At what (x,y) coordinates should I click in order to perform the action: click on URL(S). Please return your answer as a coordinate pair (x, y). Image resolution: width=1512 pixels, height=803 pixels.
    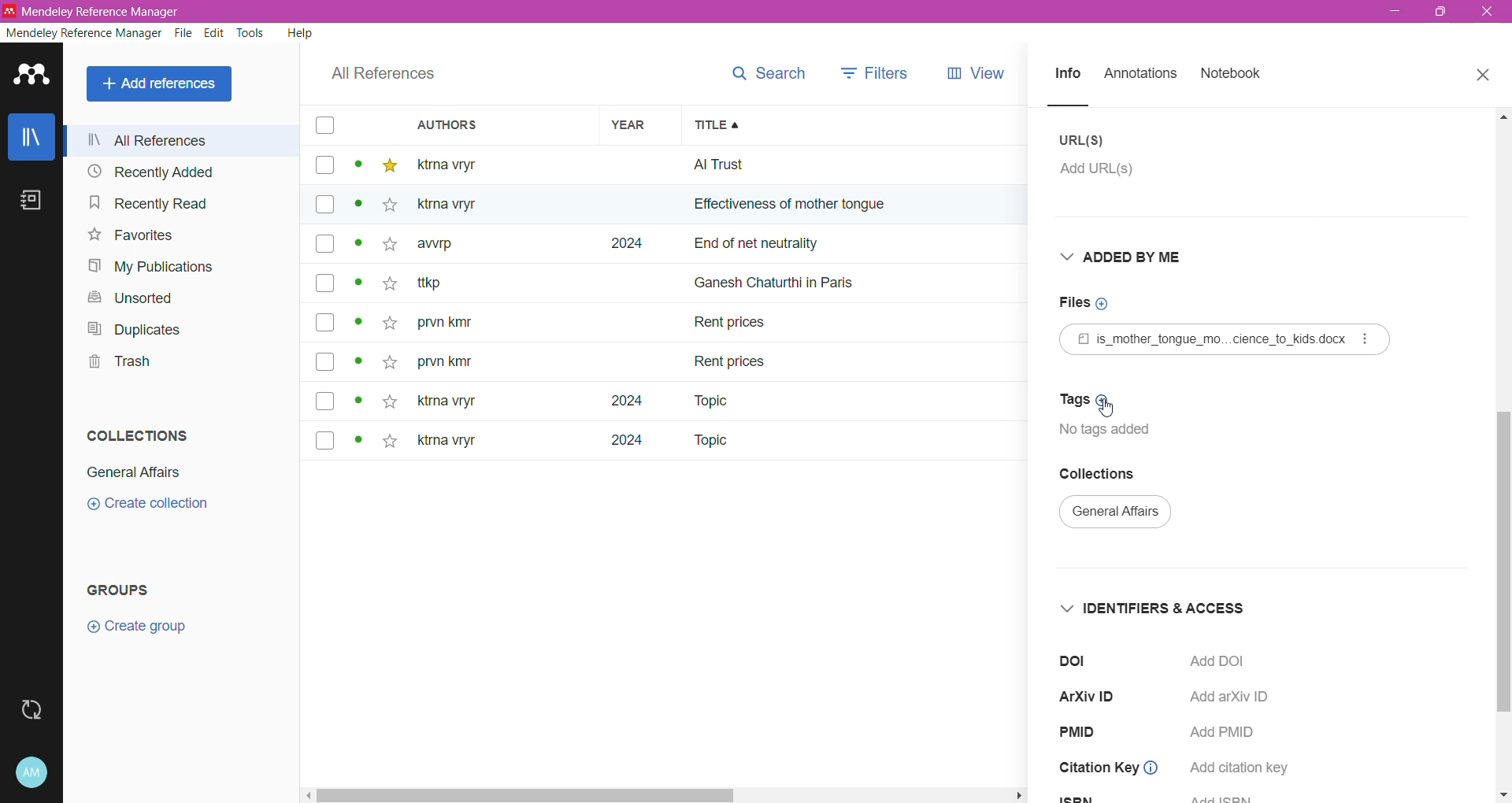
    Looking at the image, I should click on (1084, 140).